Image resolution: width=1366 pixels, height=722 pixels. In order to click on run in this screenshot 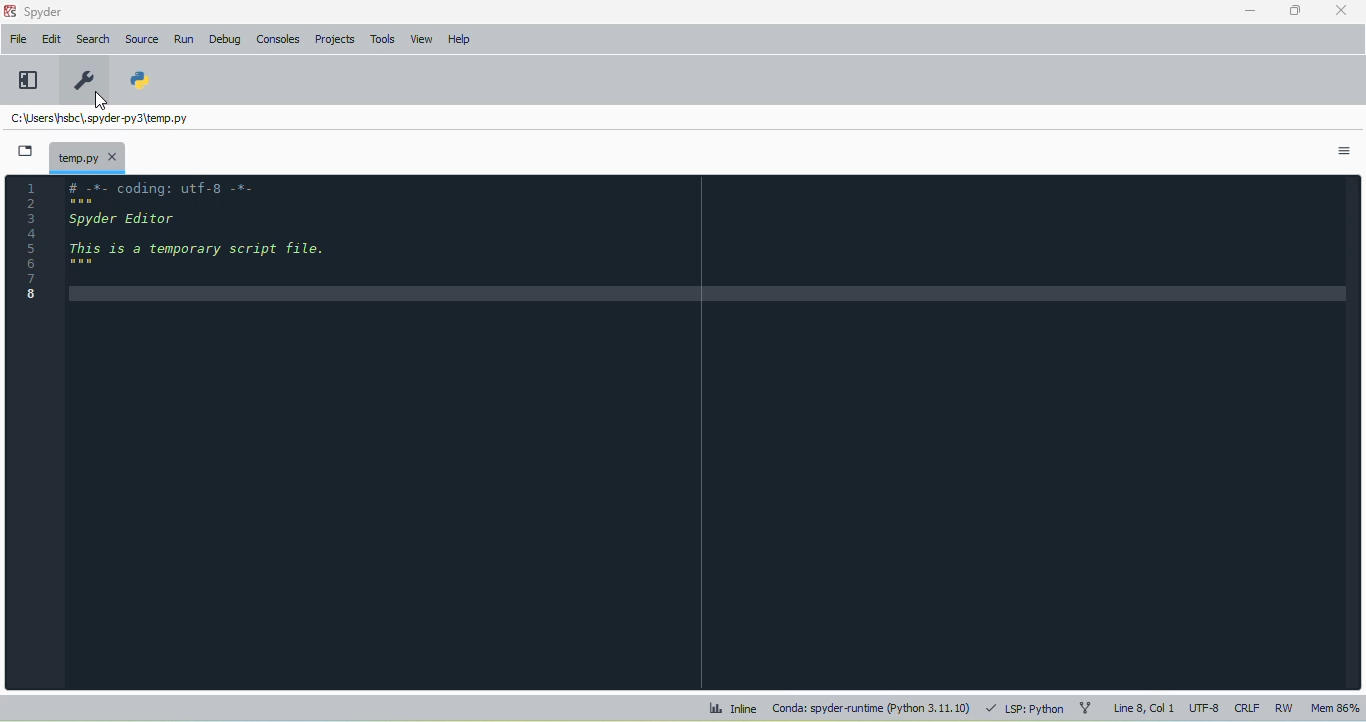, I will do `click(186, 40)`.